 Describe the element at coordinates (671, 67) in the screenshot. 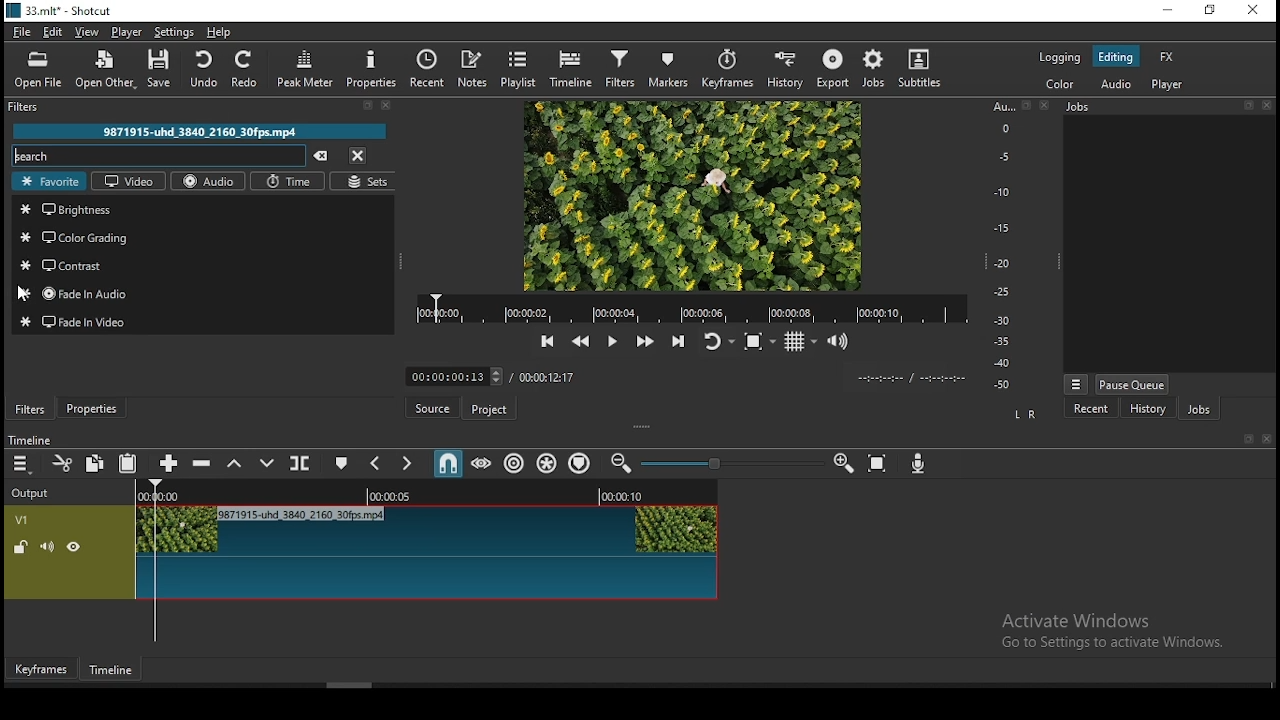

I see `markers` at that location.